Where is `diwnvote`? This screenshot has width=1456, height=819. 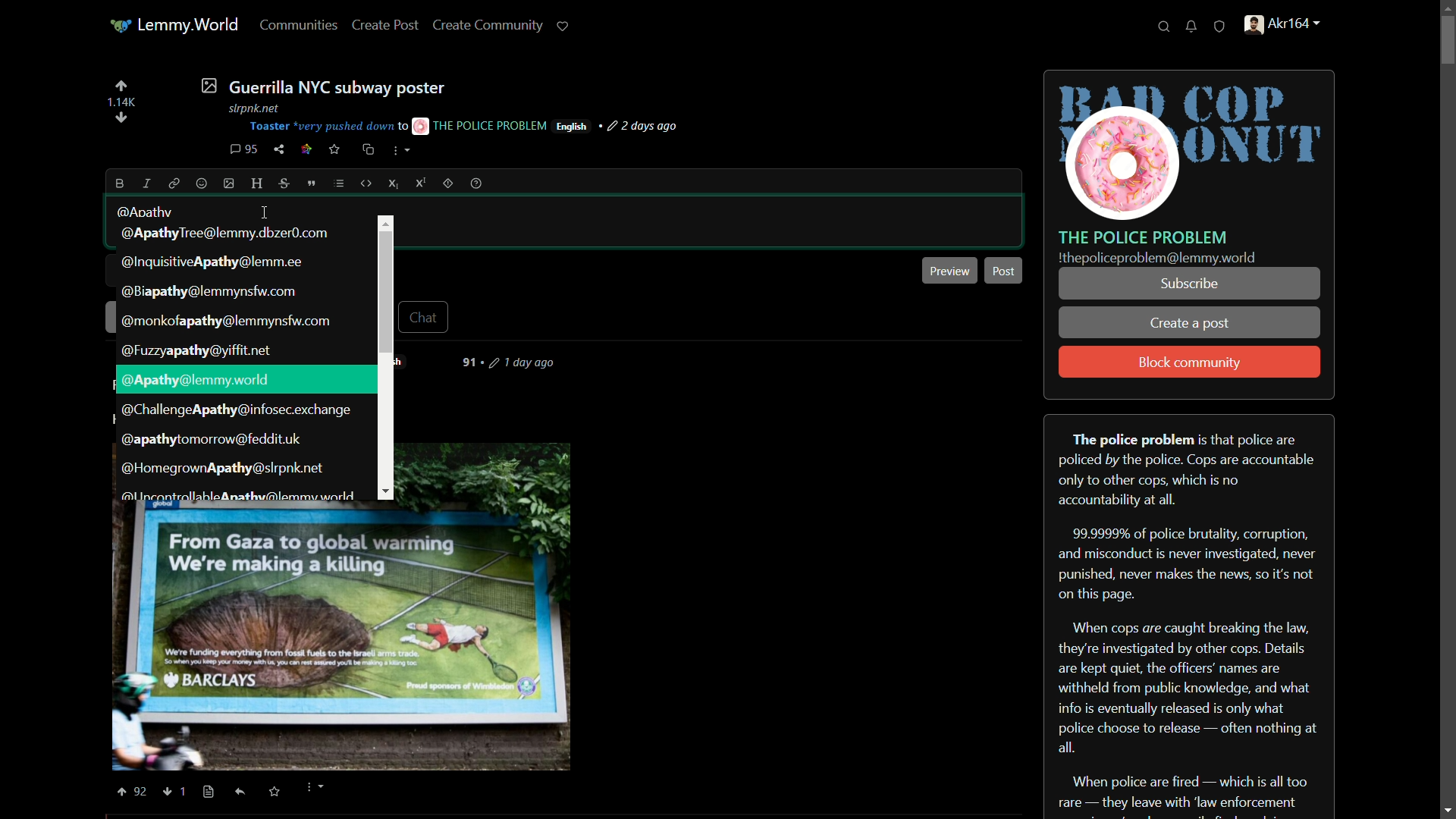
diwnvote is located at coordinates (121, 119).